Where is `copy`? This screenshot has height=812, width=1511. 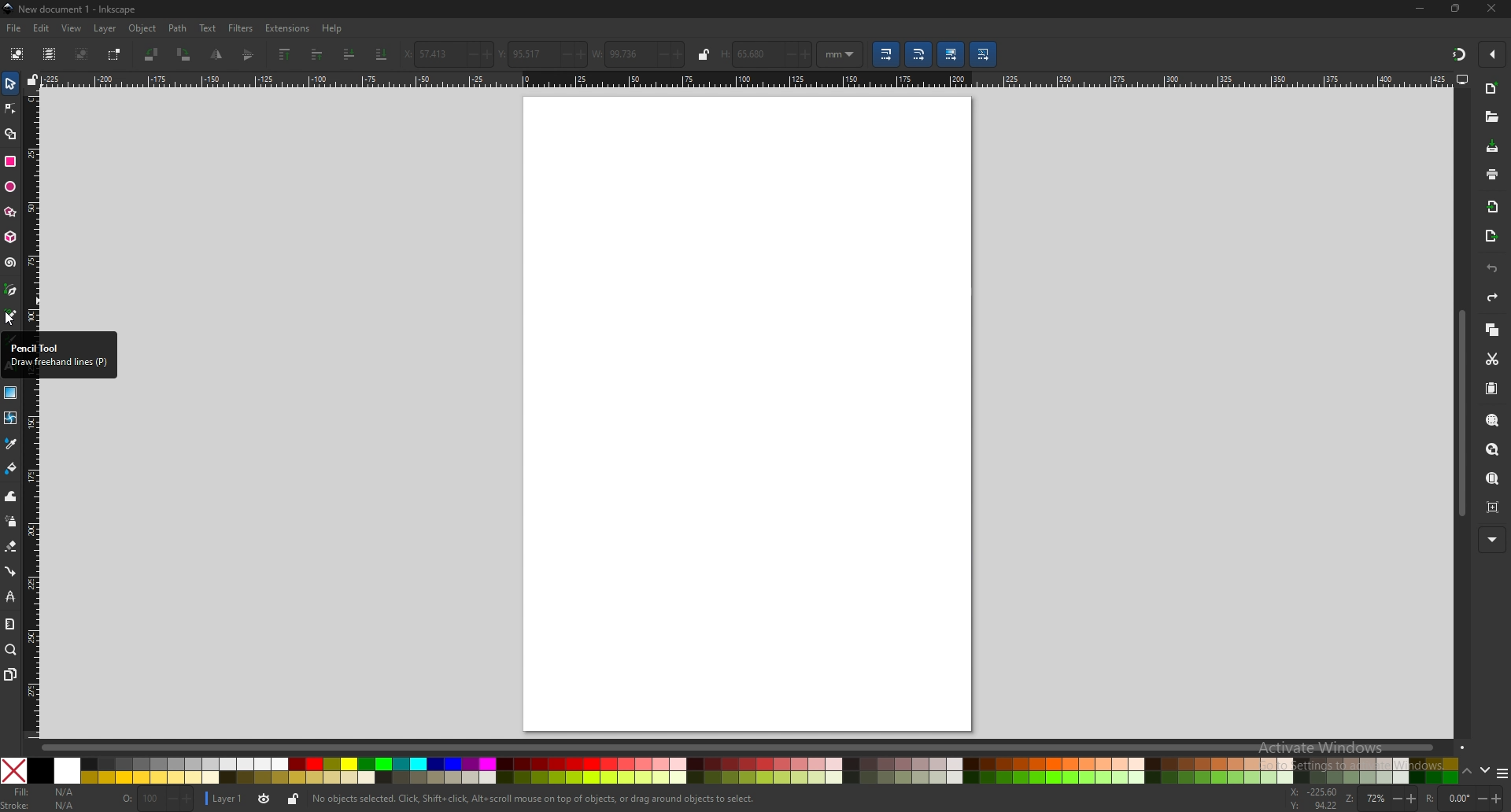
copy is located at coordinates (1491, 330).